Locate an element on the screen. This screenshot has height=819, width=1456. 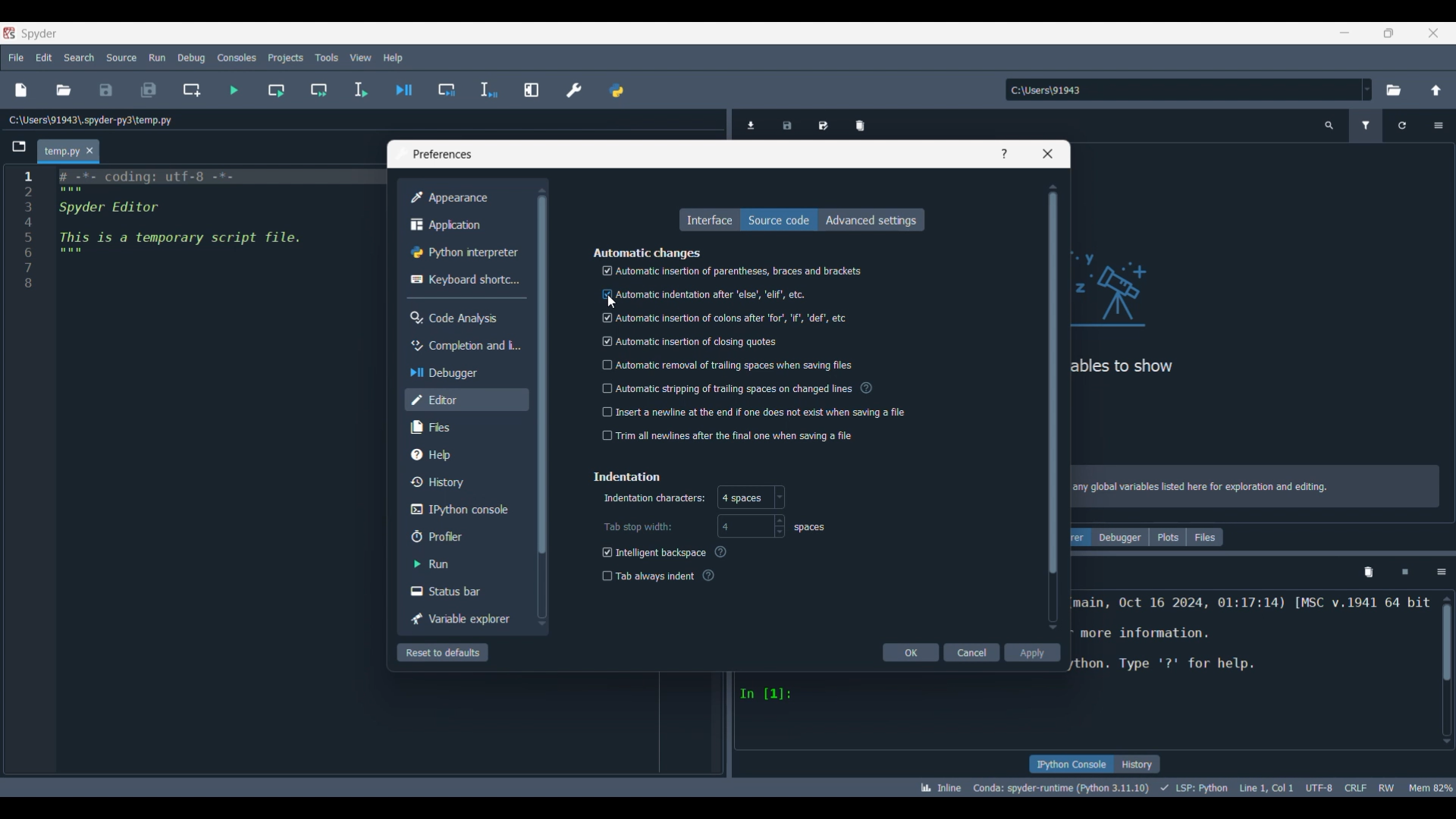
Interface, highlighted as currect selection is located at coordinates (709, 219).